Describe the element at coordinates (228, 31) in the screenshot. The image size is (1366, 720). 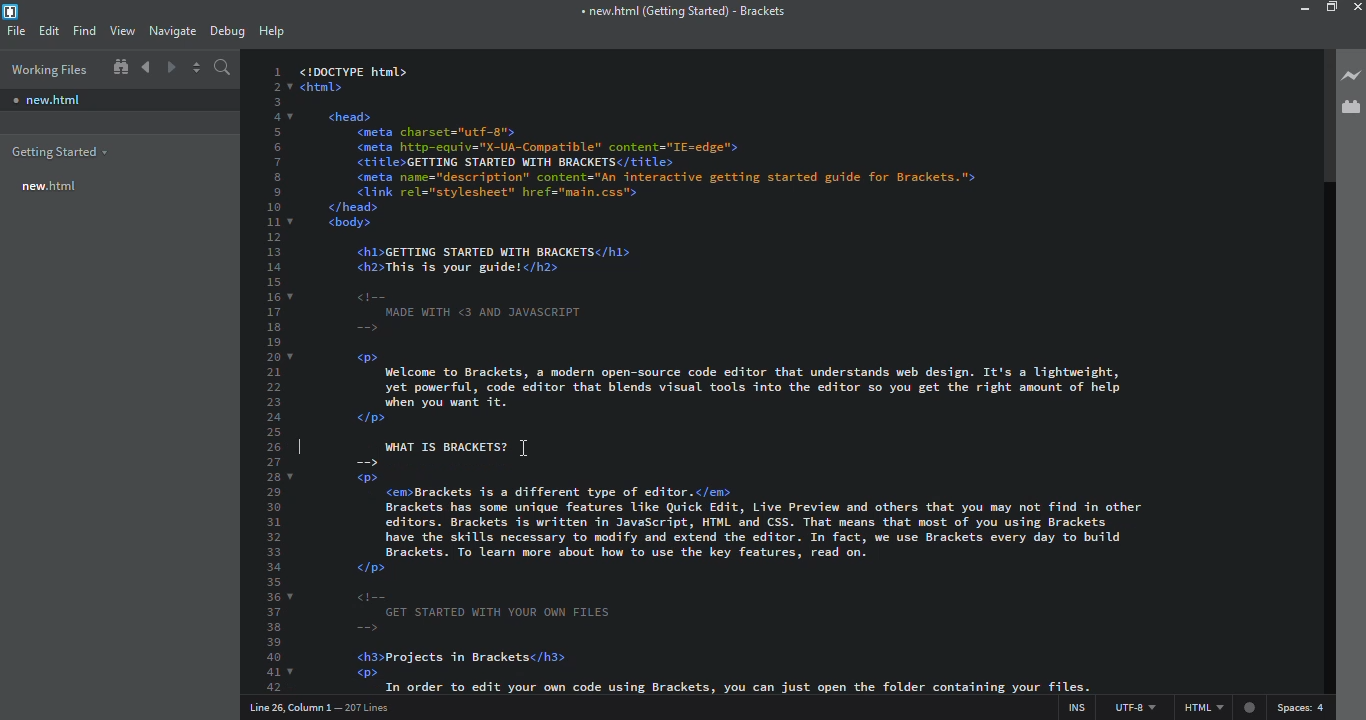
I see `debug` at that location.